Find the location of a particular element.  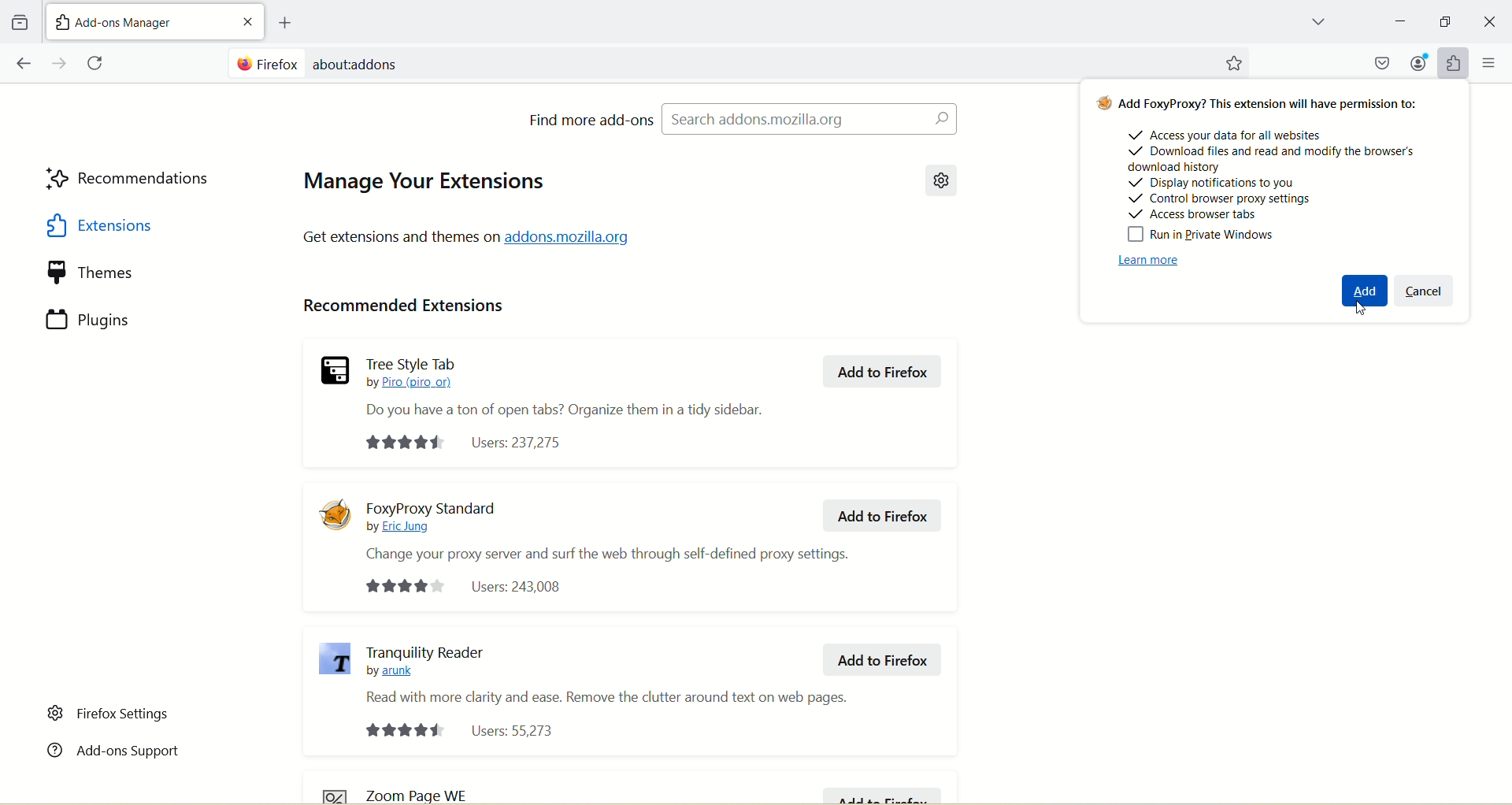

Tree Style Tab
by Piro (piro_or)
Do you have a ton of open tabs? Organize them in a tidy sidebar. is located at coordinates (561, 388).